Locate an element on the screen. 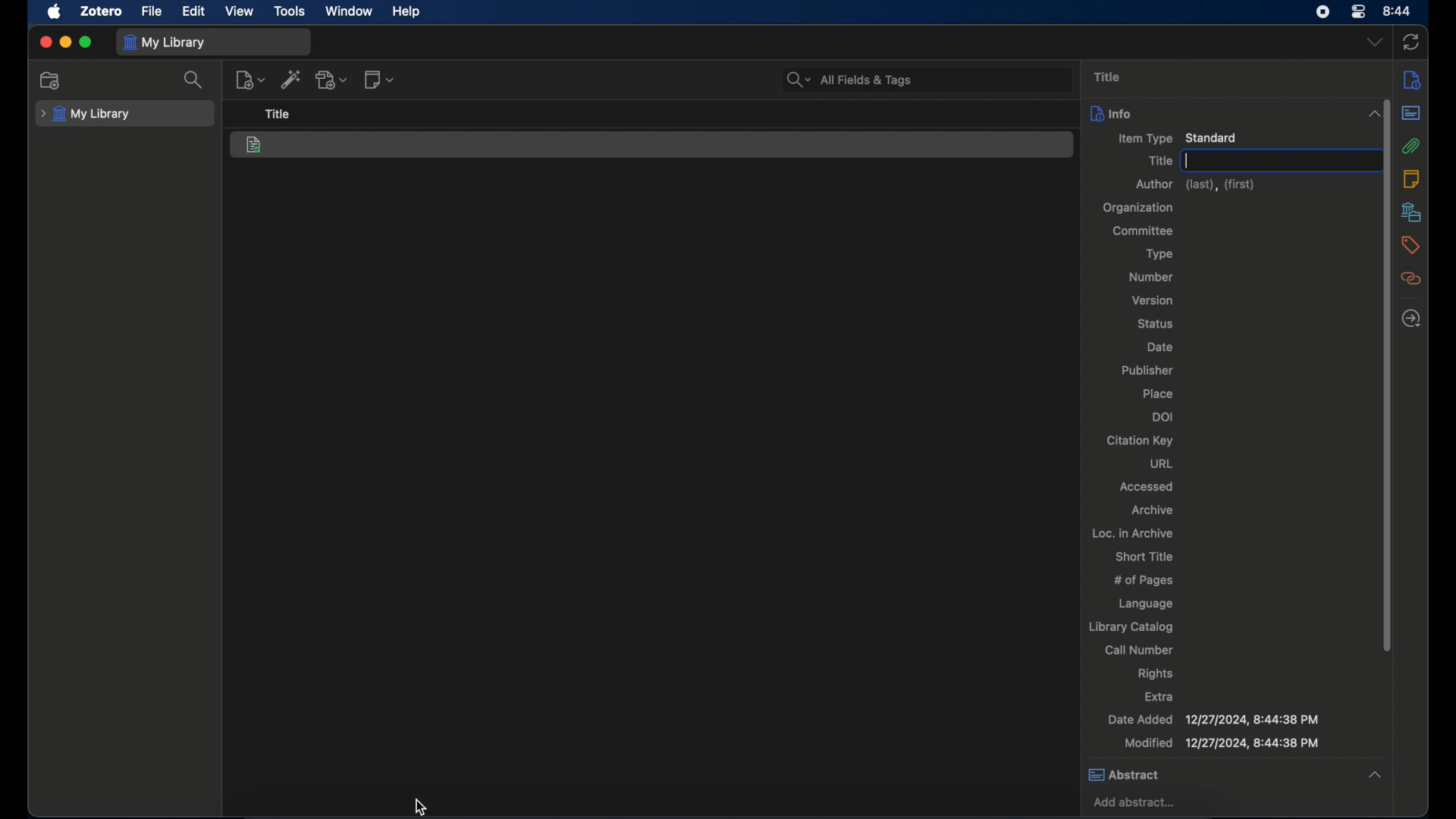 The height and width of the screenshot is (819, 1456). maximize is located at coordinates (86, 43).